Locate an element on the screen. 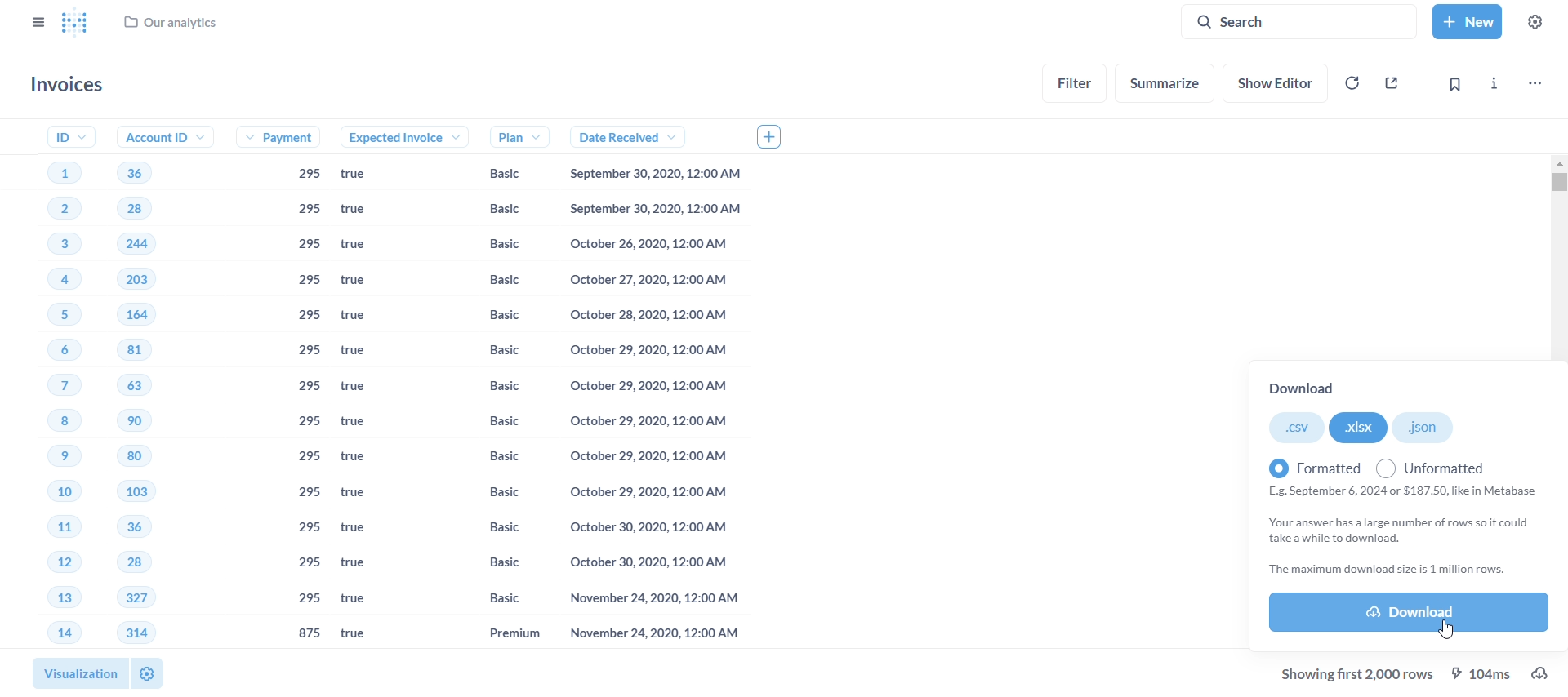  search is located at coordinates (1305, 20).